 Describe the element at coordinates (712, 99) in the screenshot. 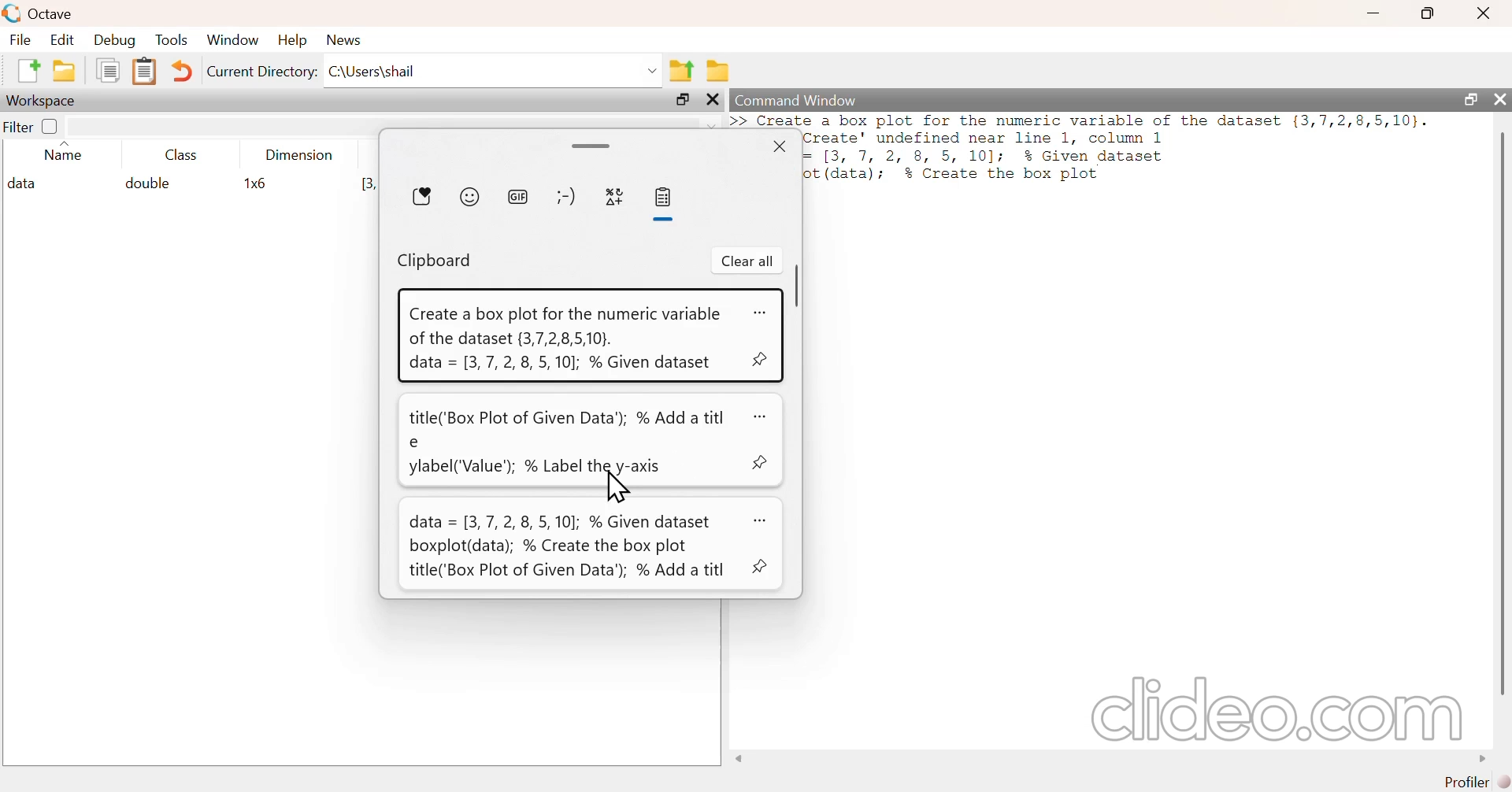

I see `close` at that location.